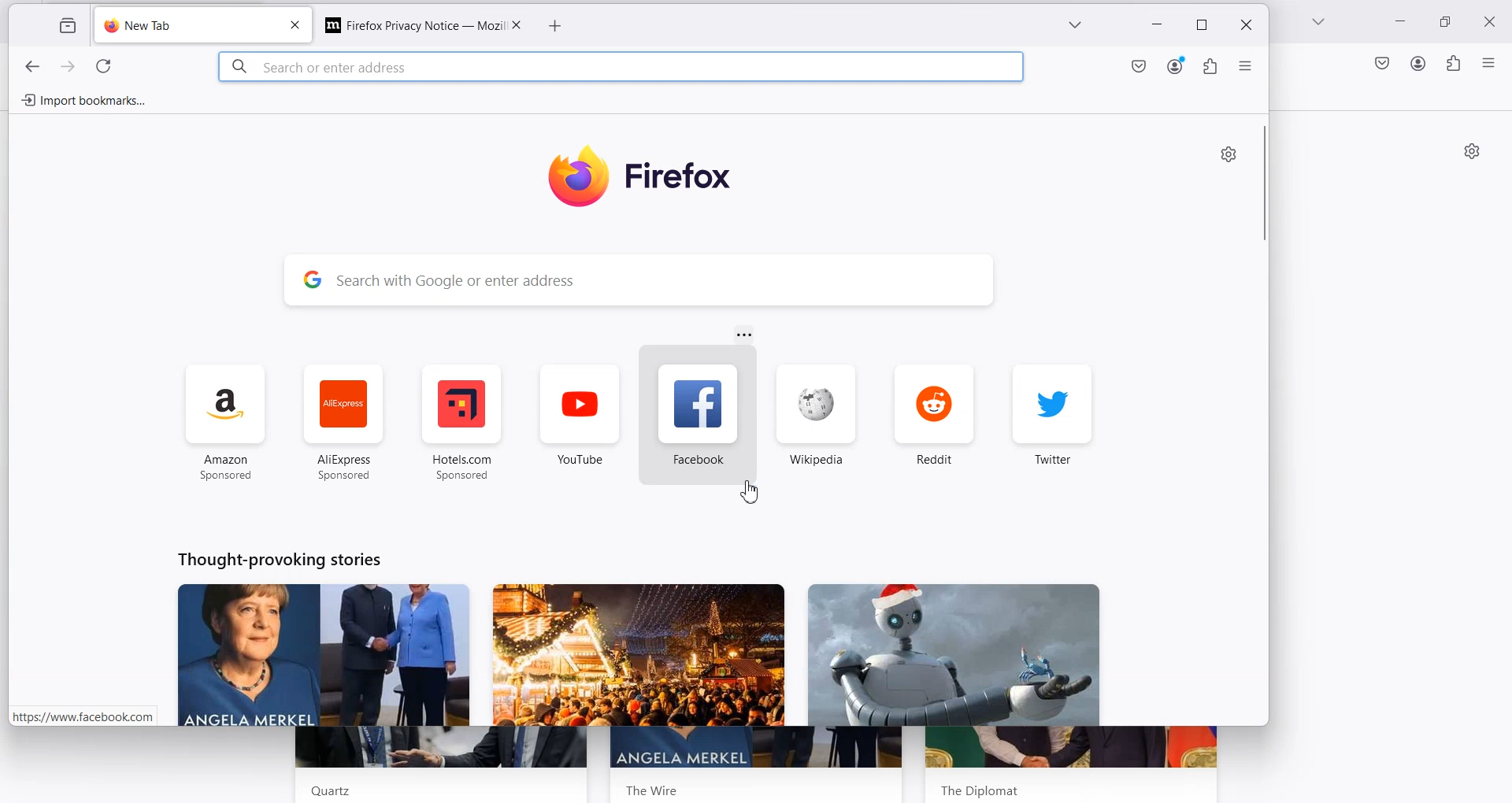 This screenshot has width=1512, height=803. I want to click on restore down, so click(1201, 25).